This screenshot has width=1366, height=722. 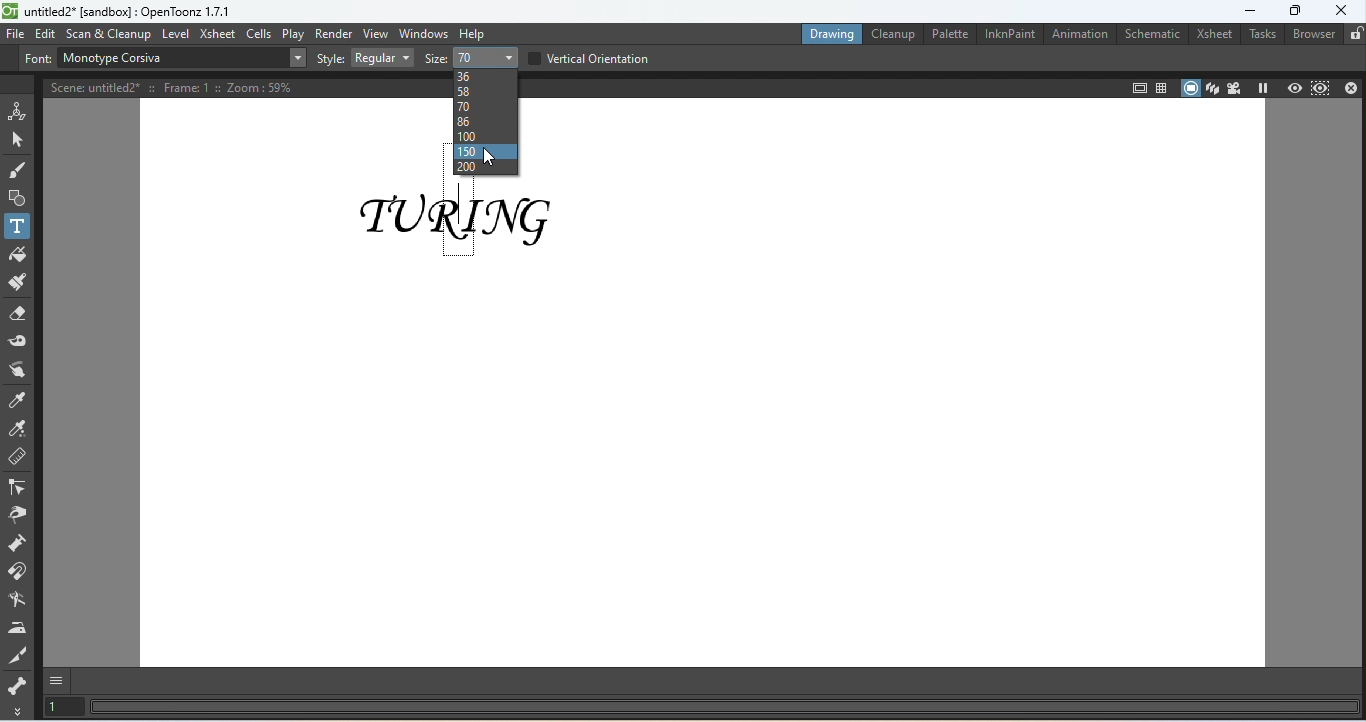 I want to click on Scene details, so click(x=180, y=85).